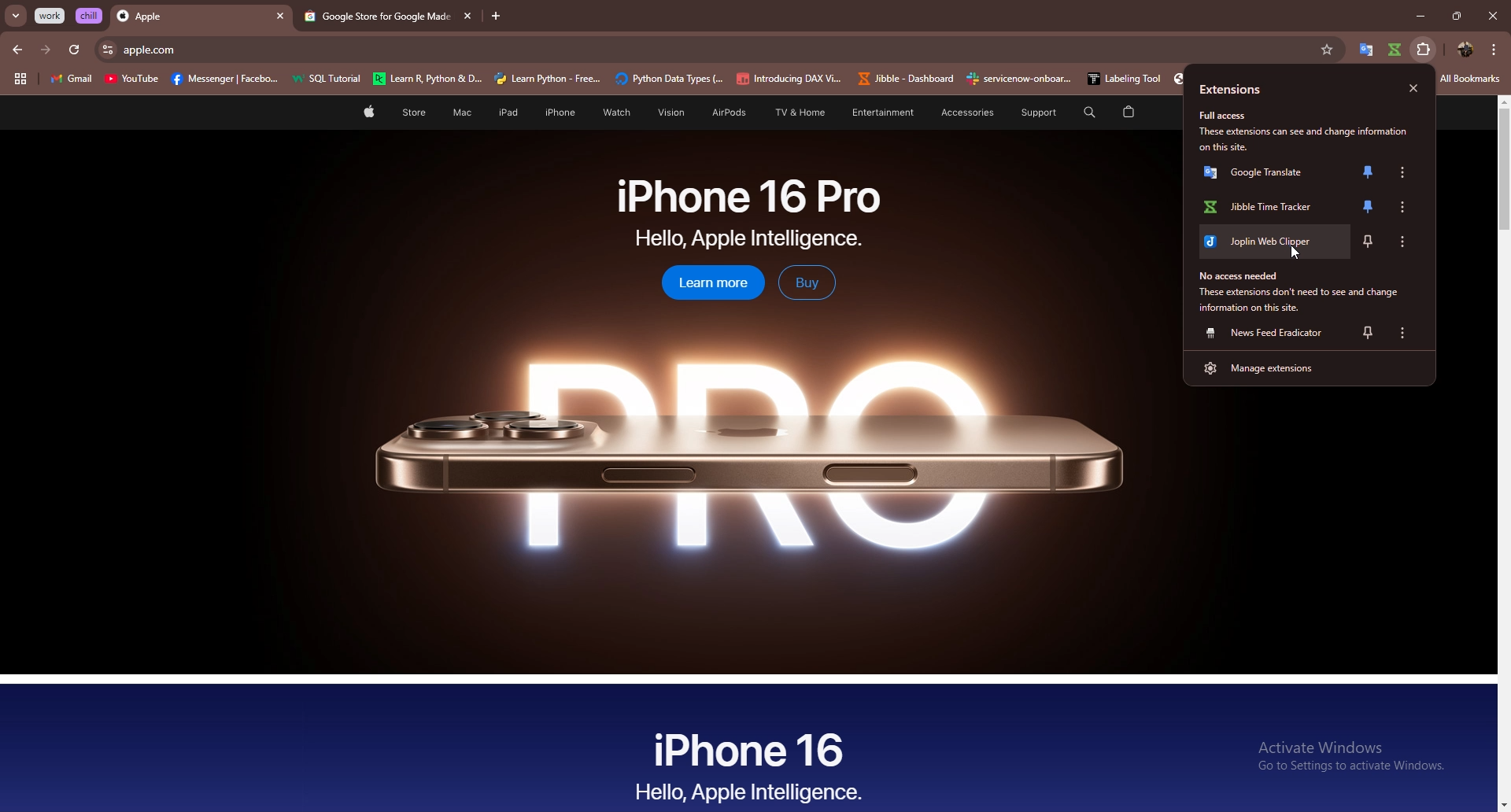 The width and height of the screenshot is (1511, 812). I want to click on all bookmarks, so click(1470, 79).